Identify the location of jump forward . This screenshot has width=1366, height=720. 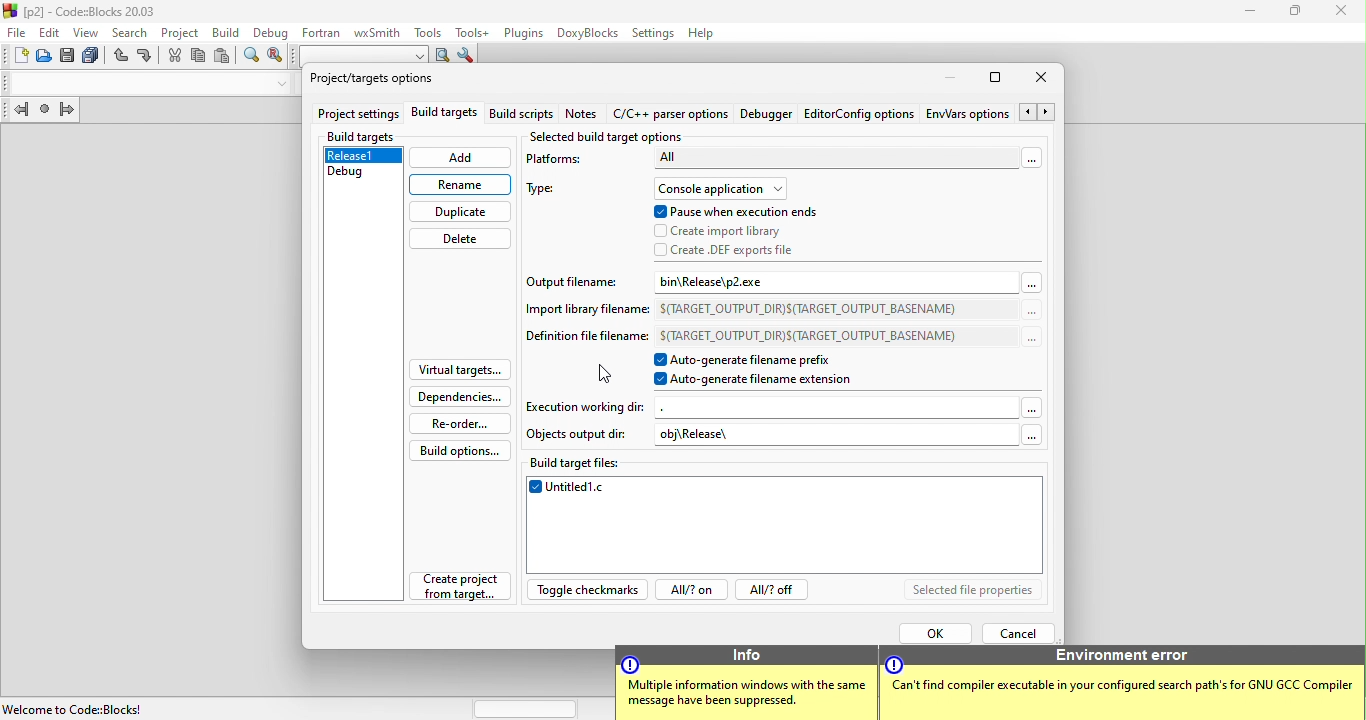
(67, 111).